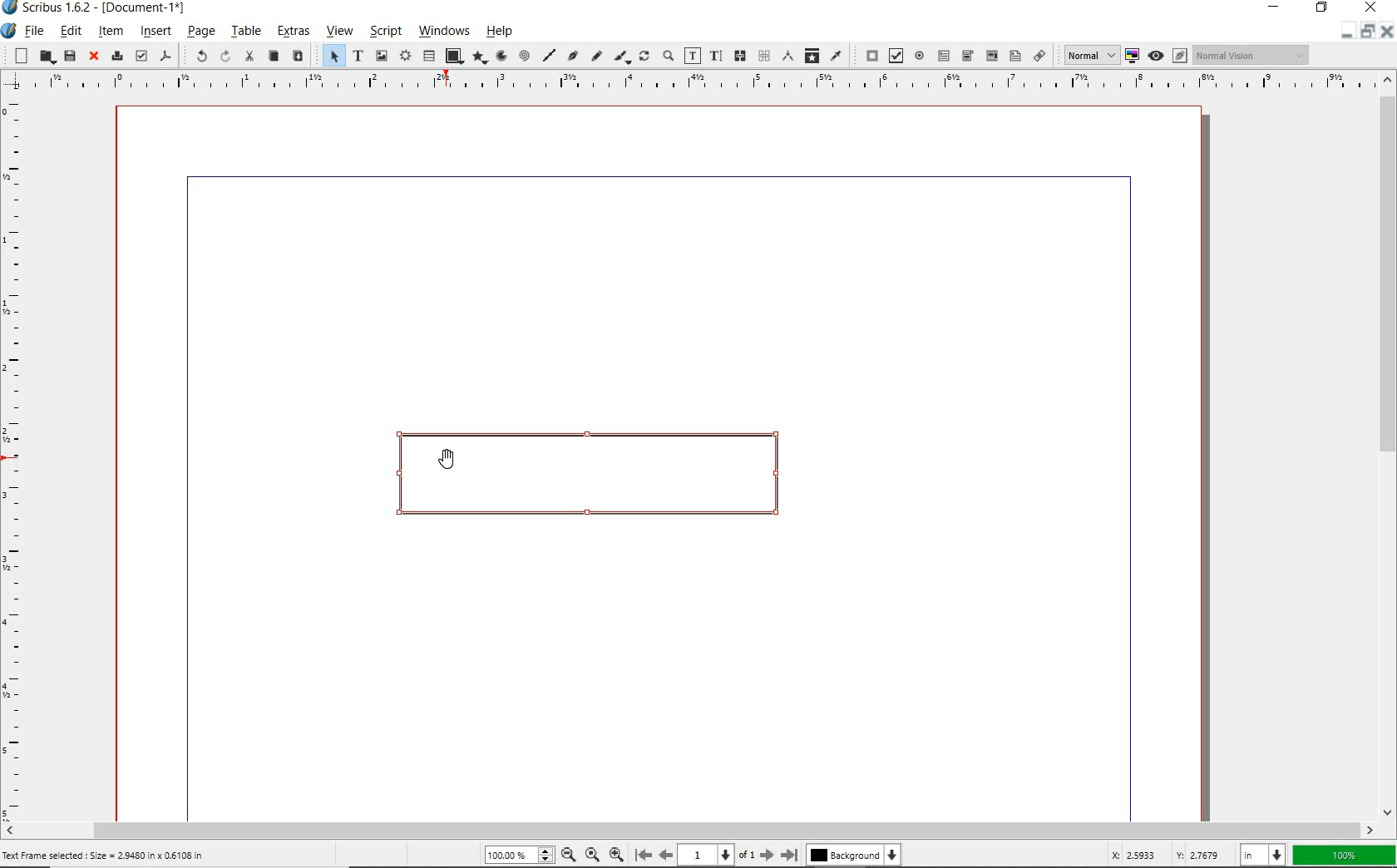 This screenshot has height=868, width=1397. Describe the element at coordinates (273, 57) in the screenshot. I see `copy` at that location.